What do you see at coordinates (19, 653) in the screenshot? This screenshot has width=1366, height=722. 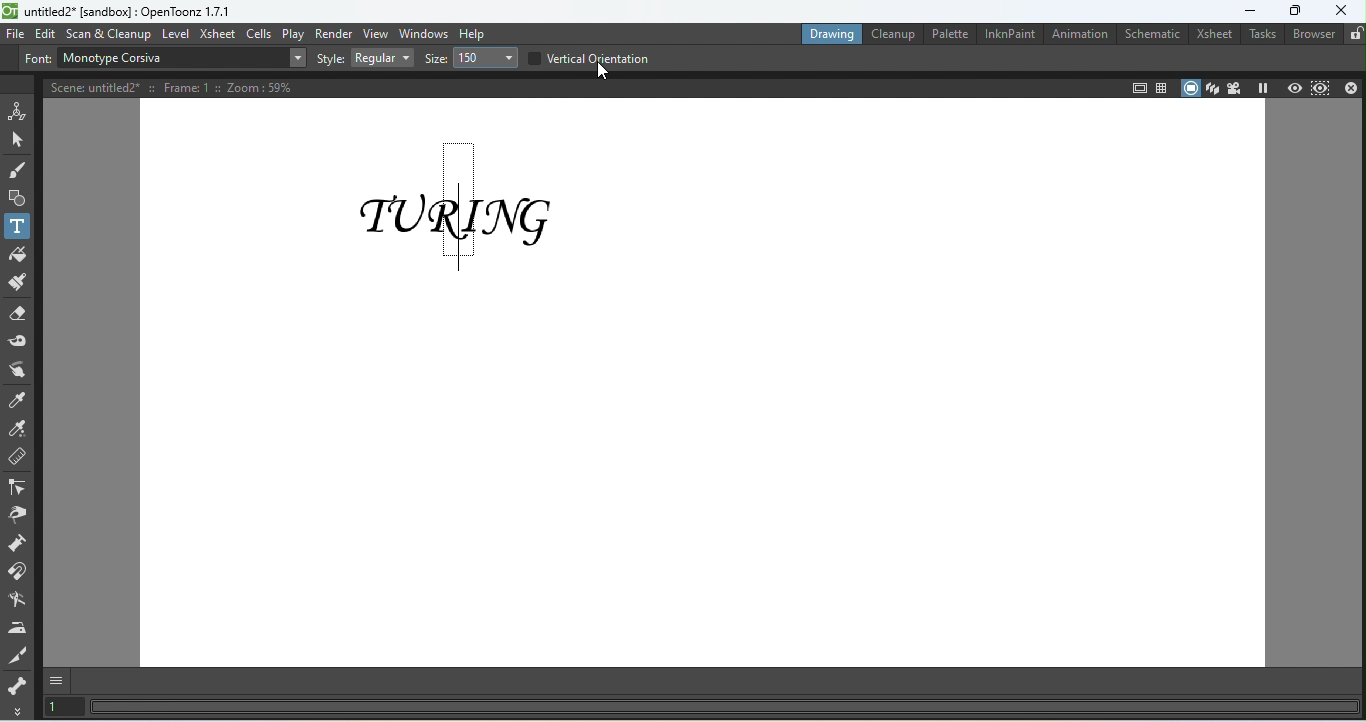 I see `cutter tool` at bounding box center [19, 653].